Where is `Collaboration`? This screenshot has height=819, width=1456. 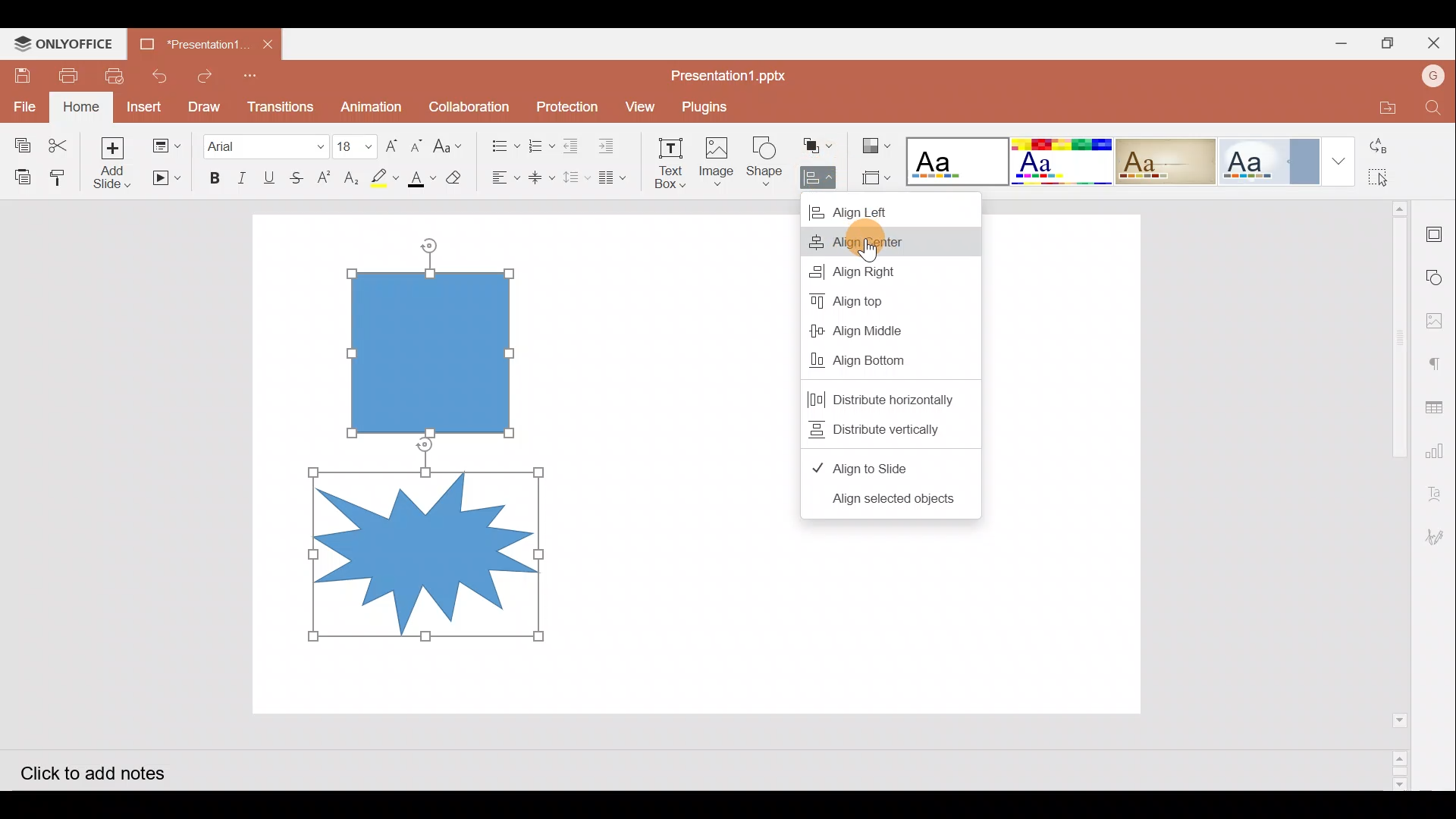 Collaboration is located at coordinates (469, 105).